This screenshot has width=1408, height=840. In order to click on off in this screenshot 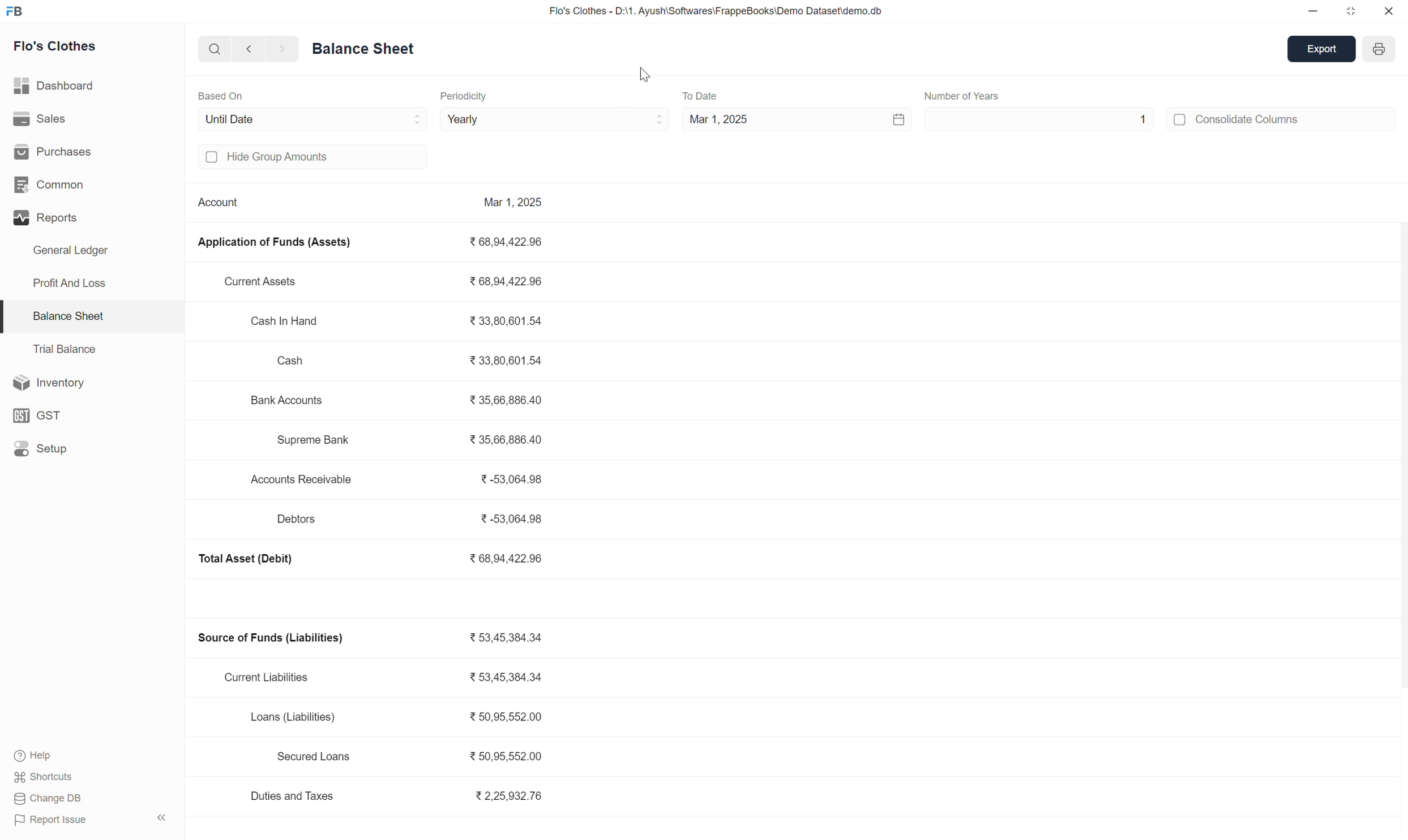, I will do `click(1180, 121)`.